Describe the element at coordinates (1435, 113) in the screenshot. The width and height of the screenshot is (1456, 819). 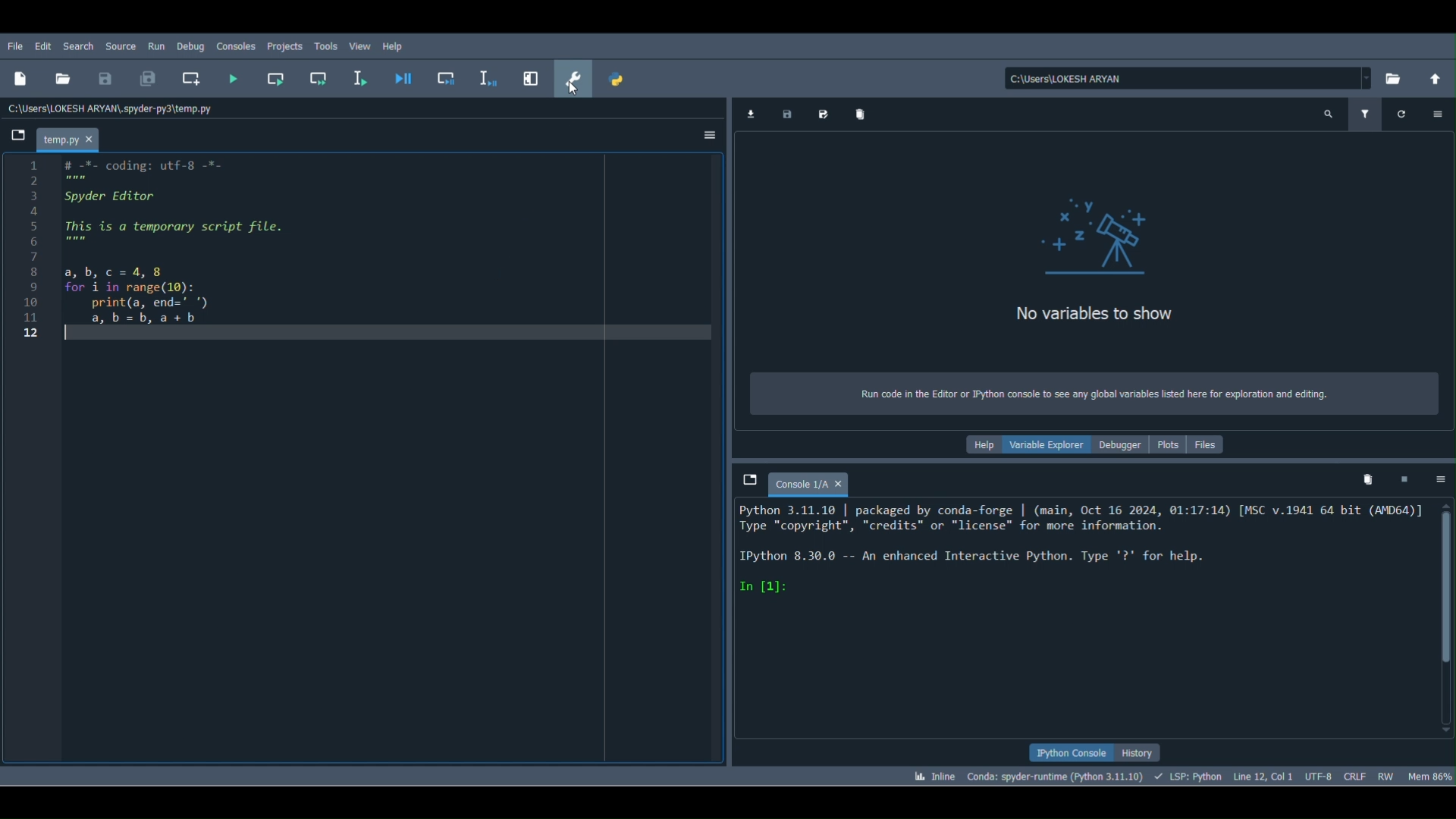
I see `Options` at that location.